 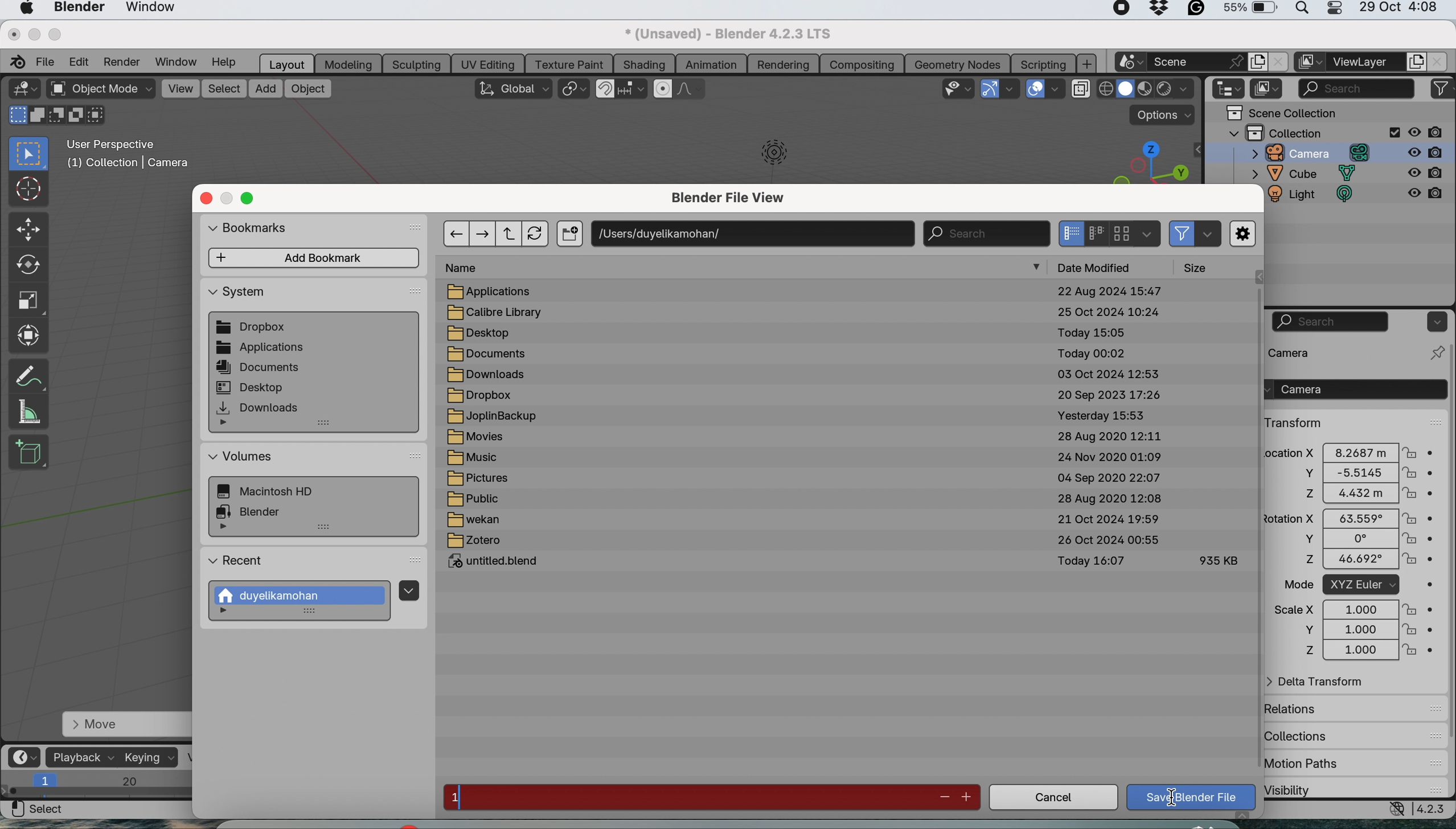 I want to click on public, so click(x=475, y=499).